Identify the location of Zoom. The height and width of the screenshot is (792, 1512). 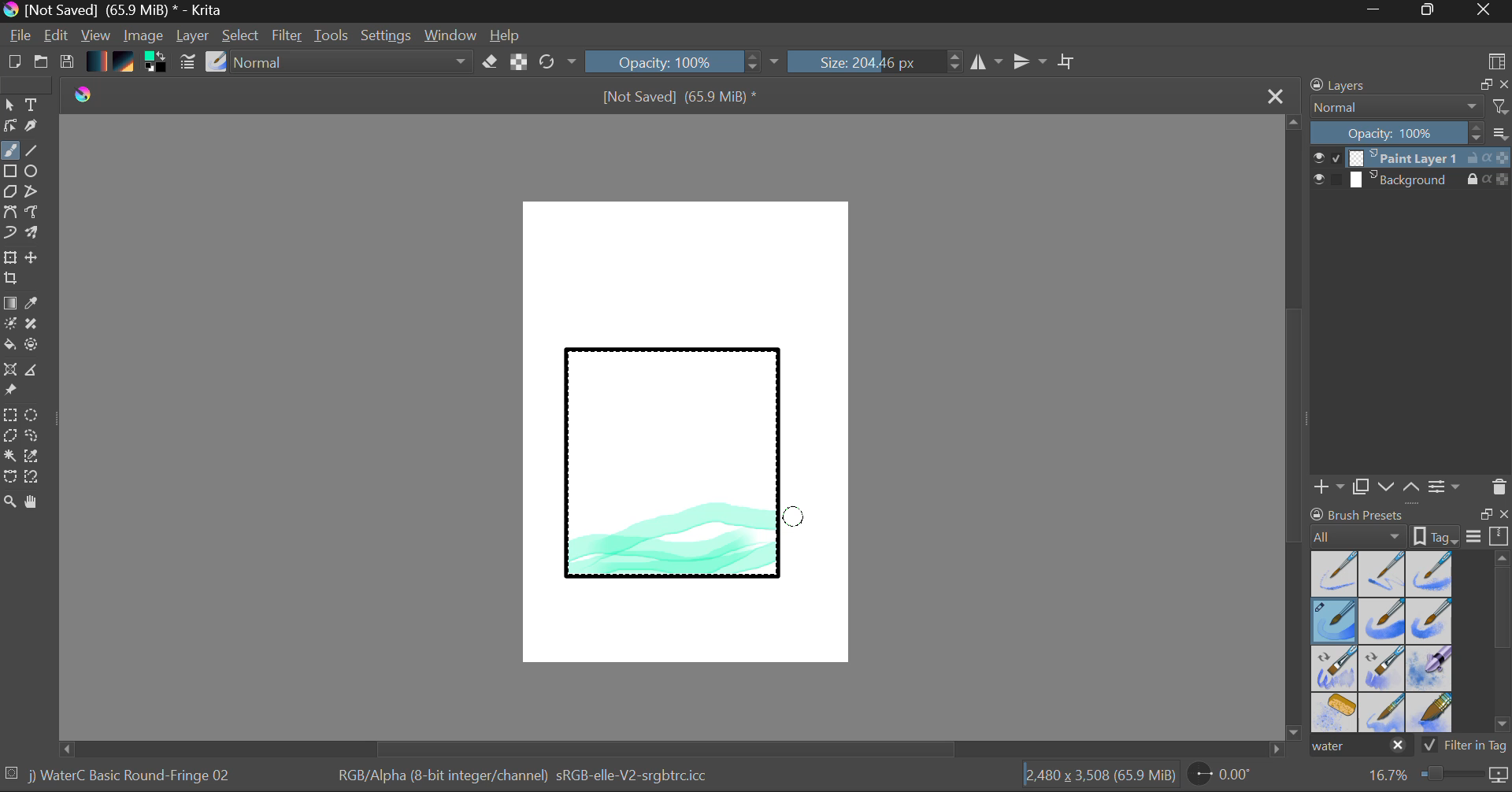
(1436, 775).